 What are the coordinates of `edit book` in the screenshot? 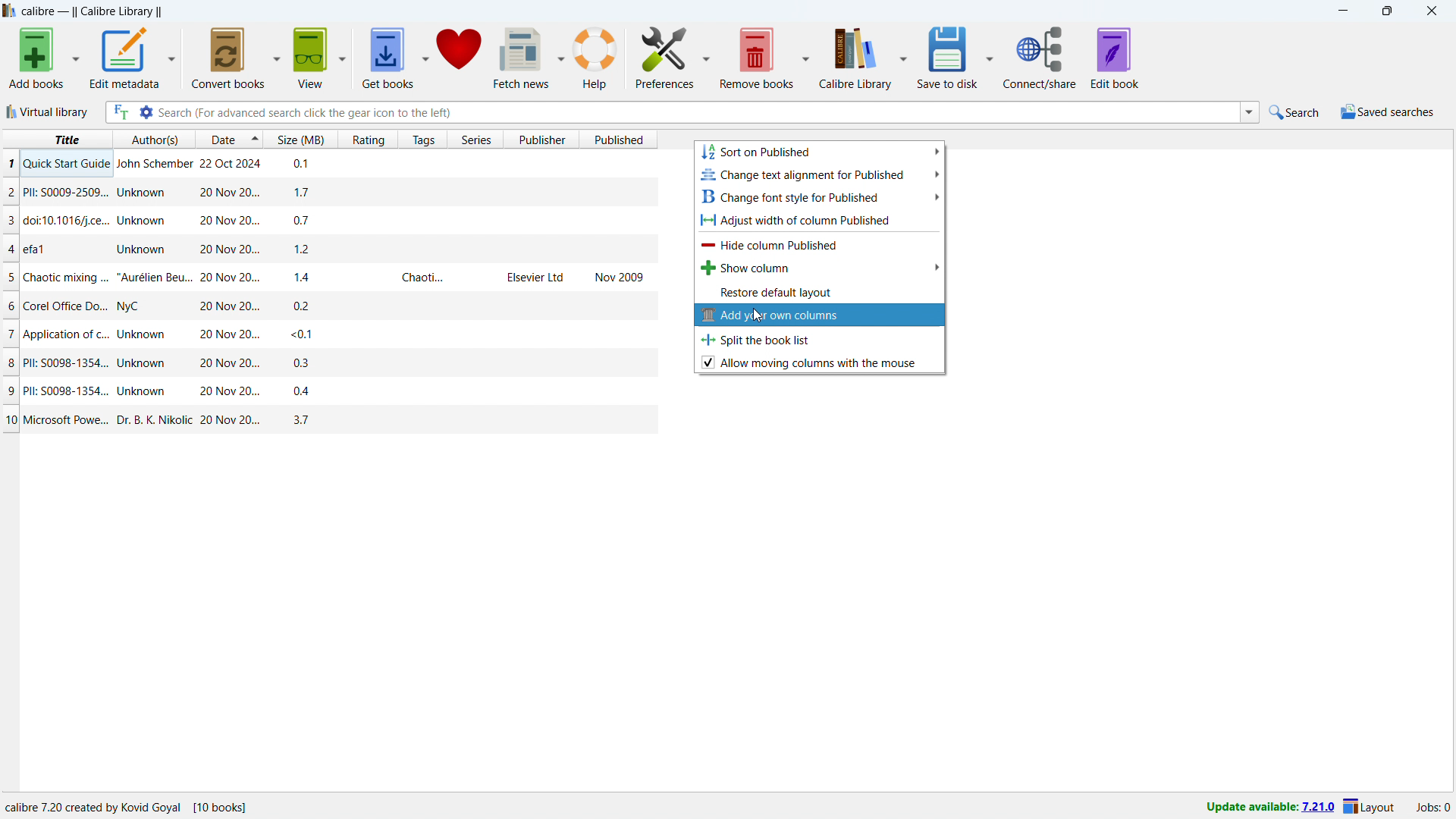 It's located at (1114, 58).